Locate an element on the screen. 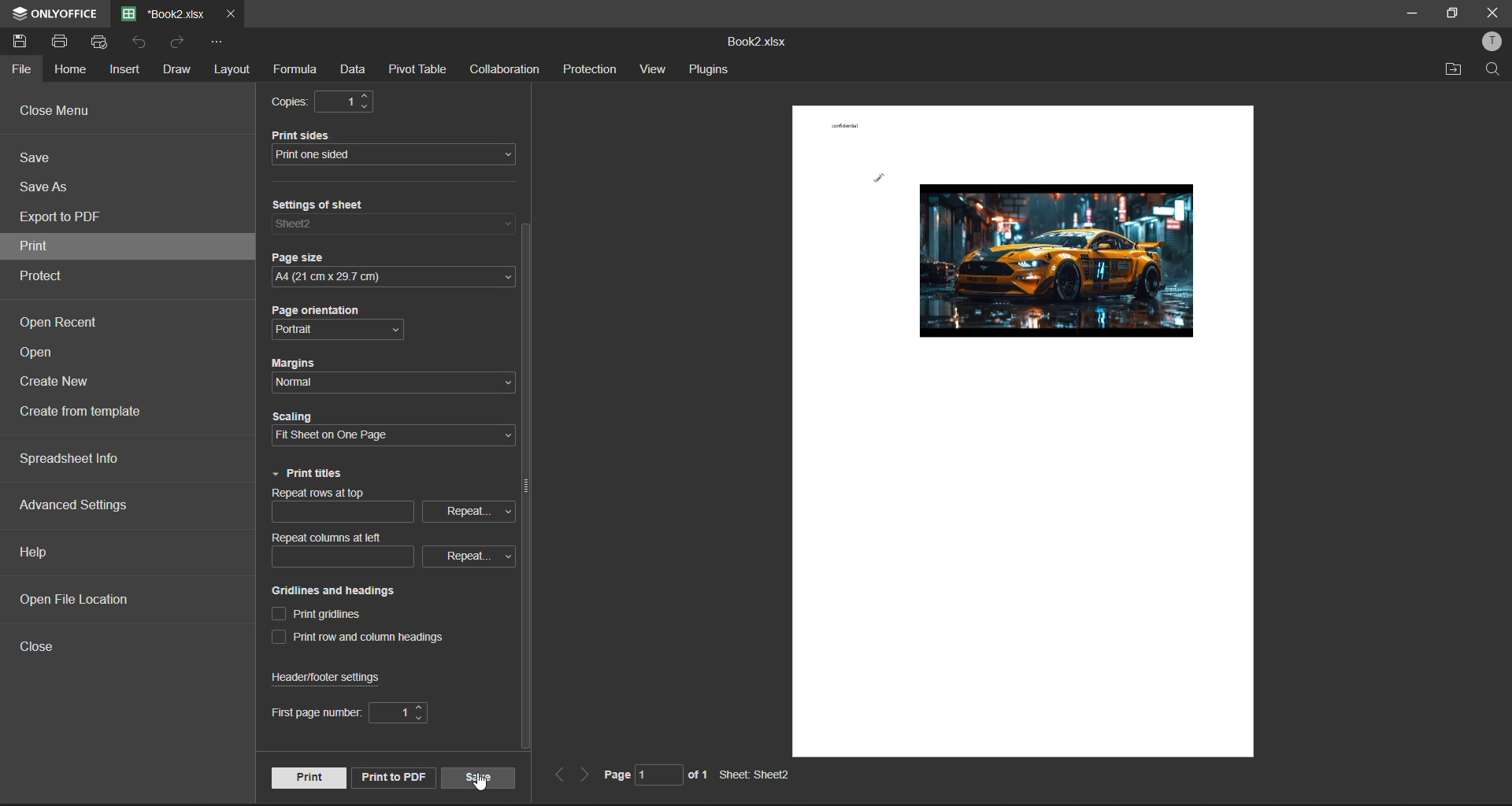  help is located at coordinates (37, 550).